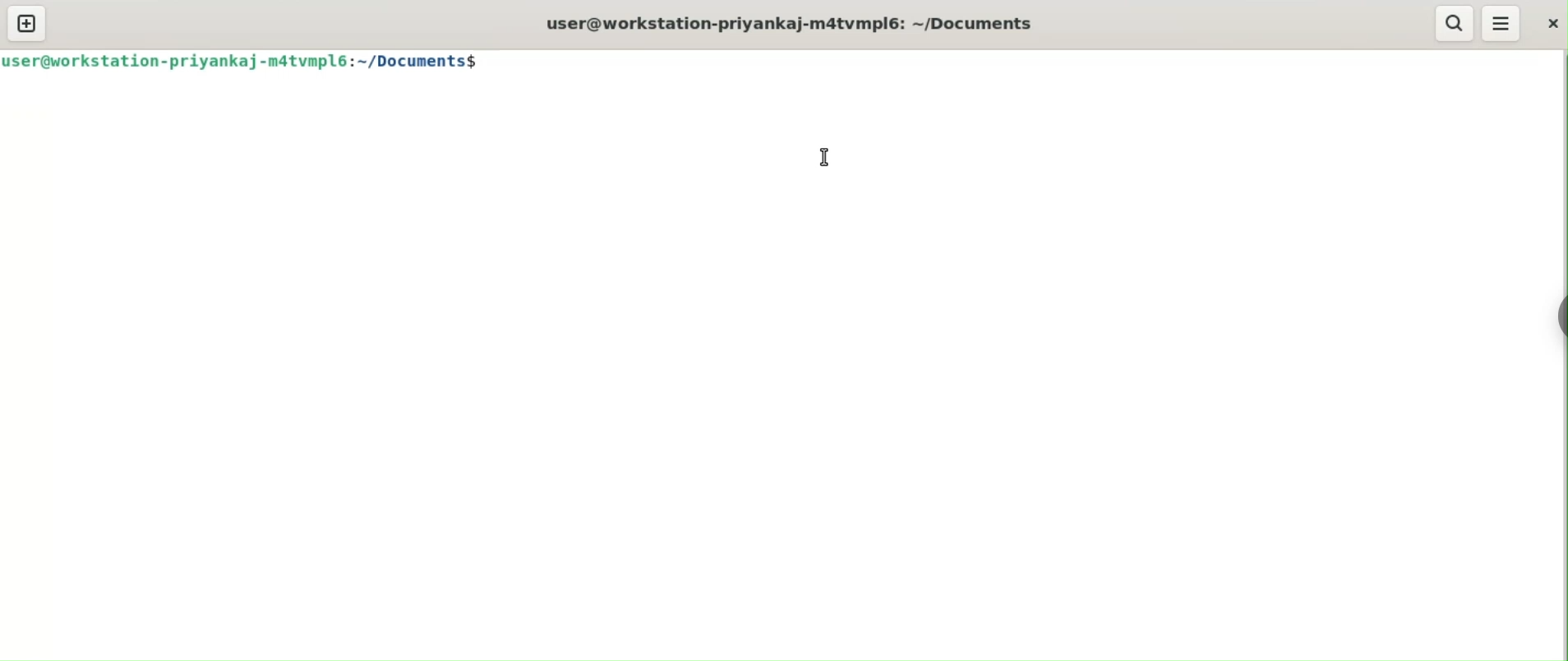 This screenshot has height=661, width=1568. What do you see at coordinates (796, 23) in the screenshot?
I see `user@workstation-priyankaj-m4tvmpl6: ~/Documents` at bounding box center [796, 23].